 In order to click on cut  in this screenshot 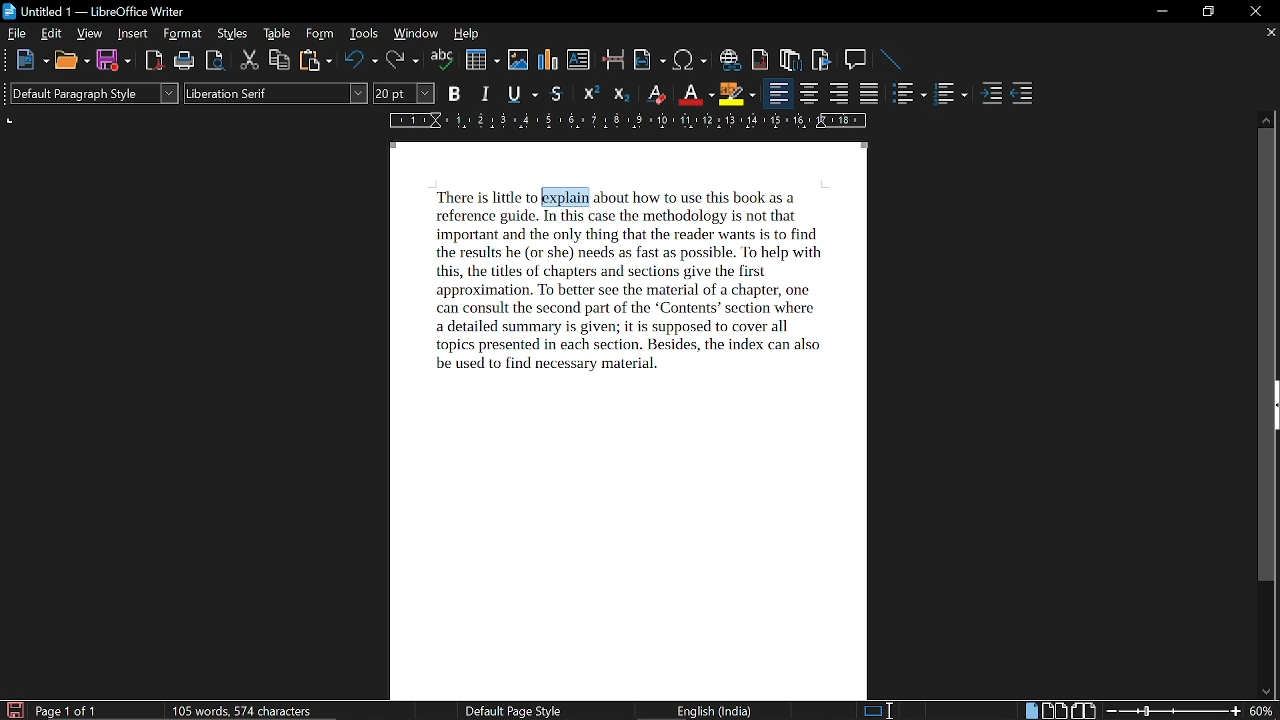, I will do `click(249, 62)`.